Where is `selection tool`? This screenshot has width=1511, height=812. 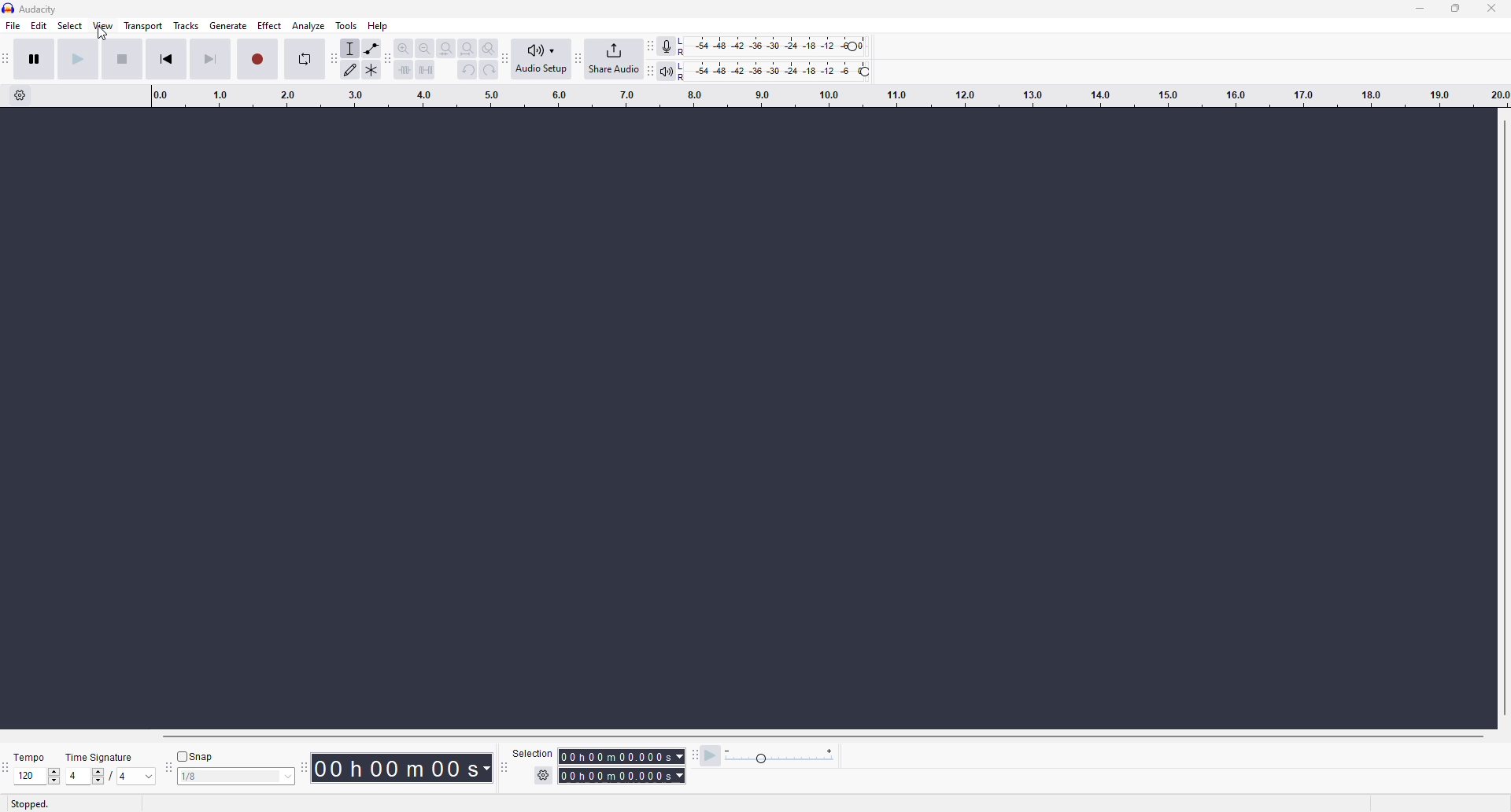
selection tool is located at coordinates (351, 49).